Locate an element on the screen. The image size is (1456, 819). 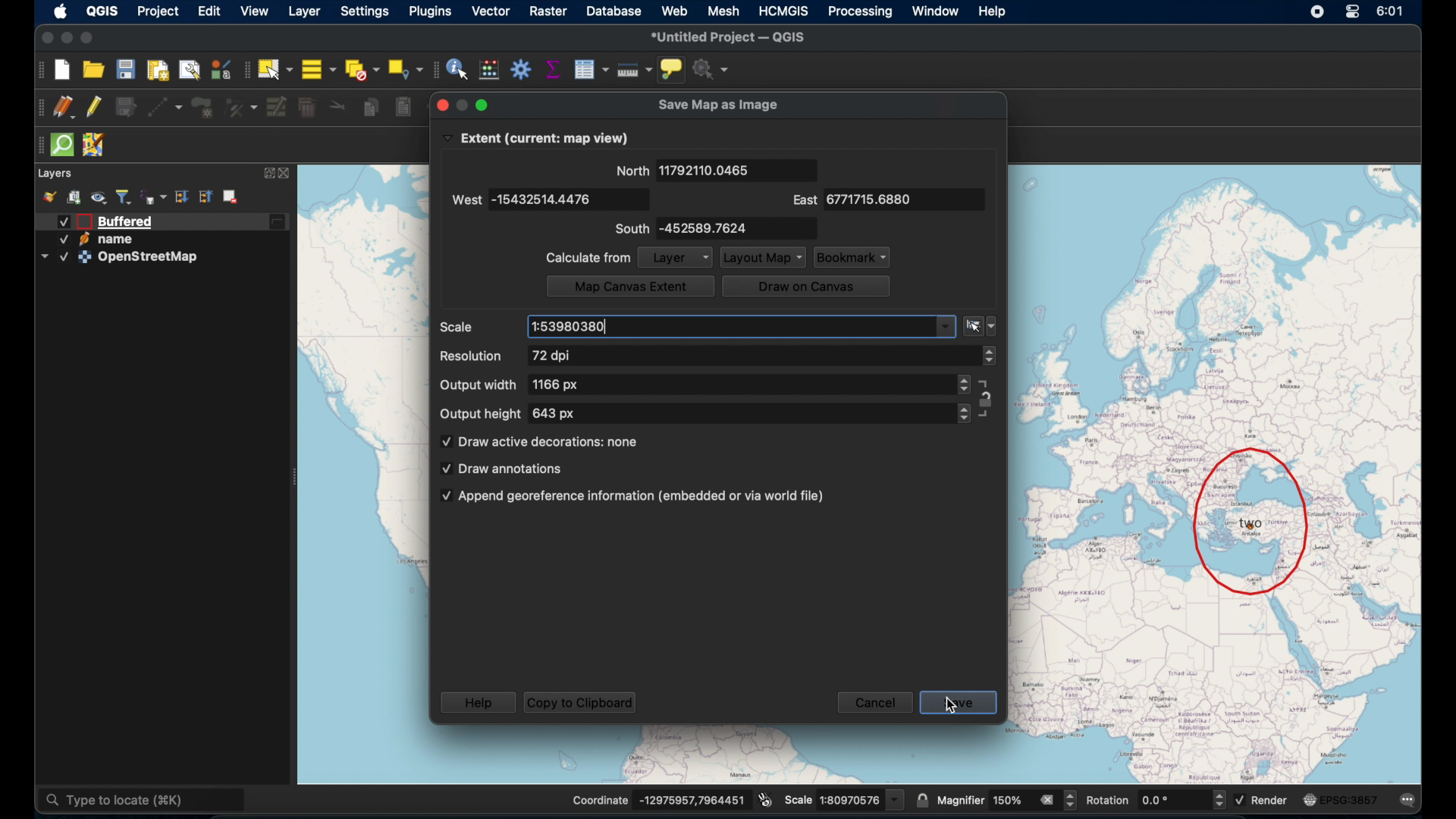
layers is located at coordinates (55, 173).